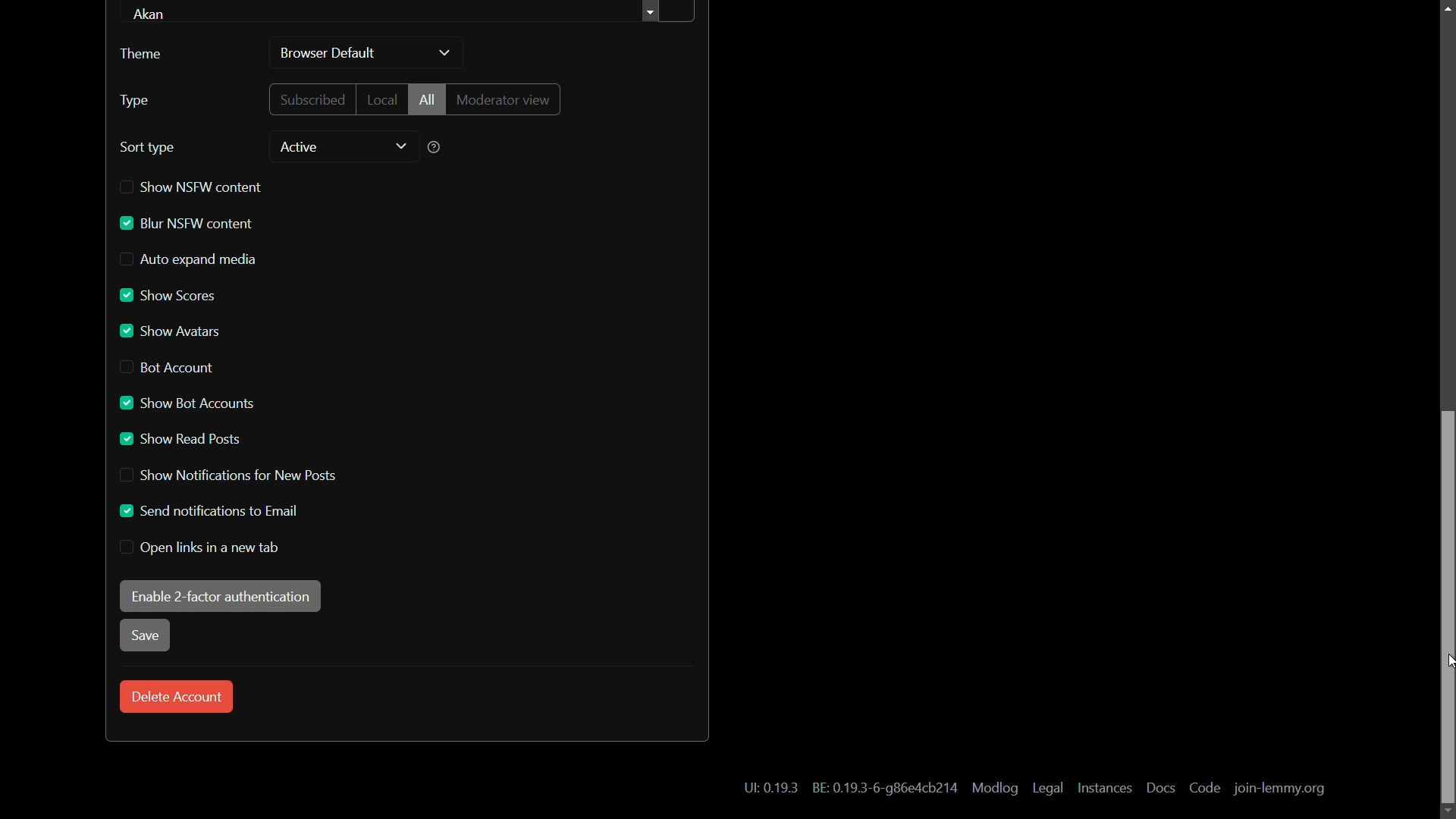 This screenshot has width=1456, height=819. I want to click on menu, so click(668, 13).